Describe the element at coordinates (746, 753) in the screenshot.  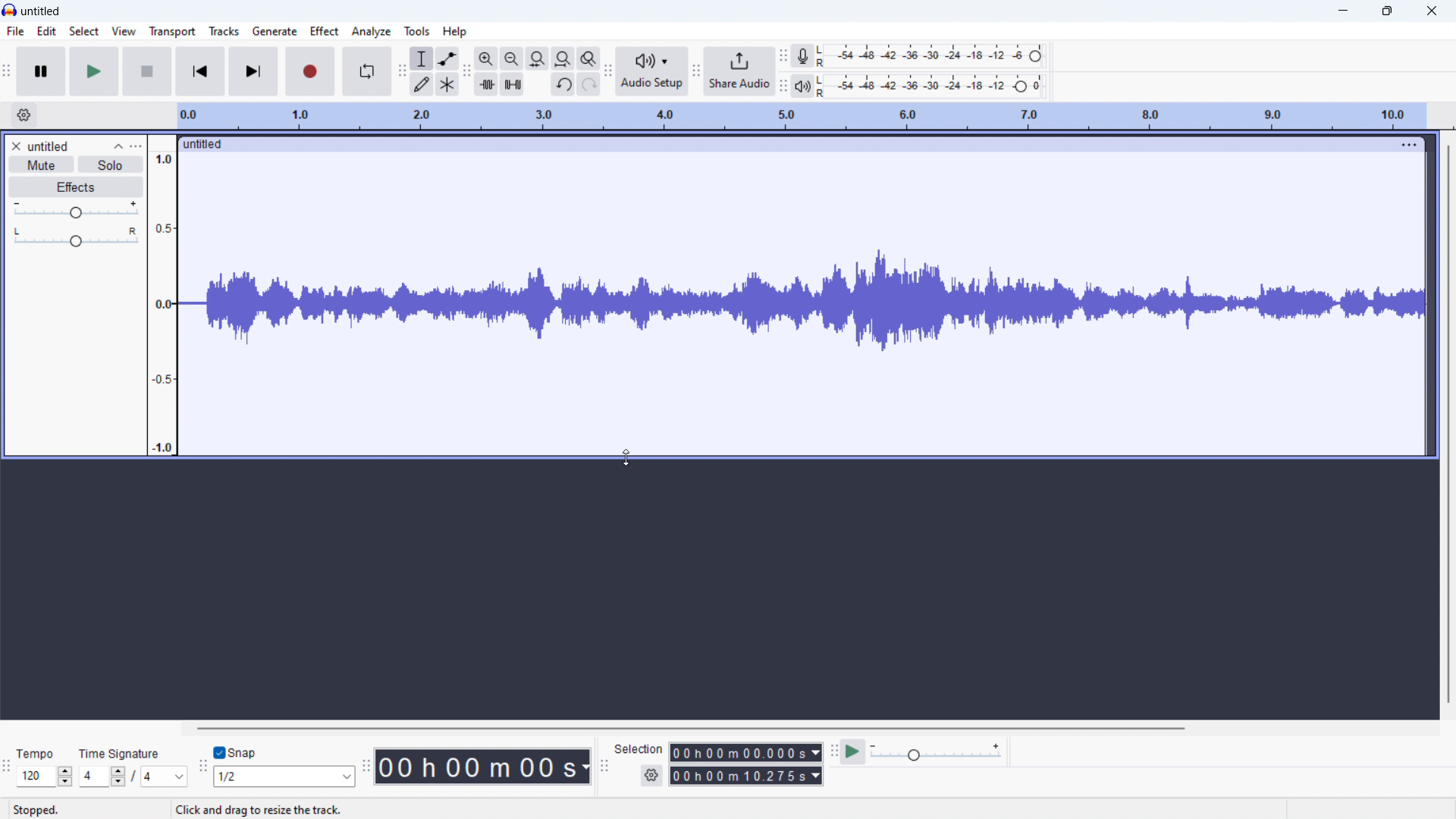
I see `start time` at that location.